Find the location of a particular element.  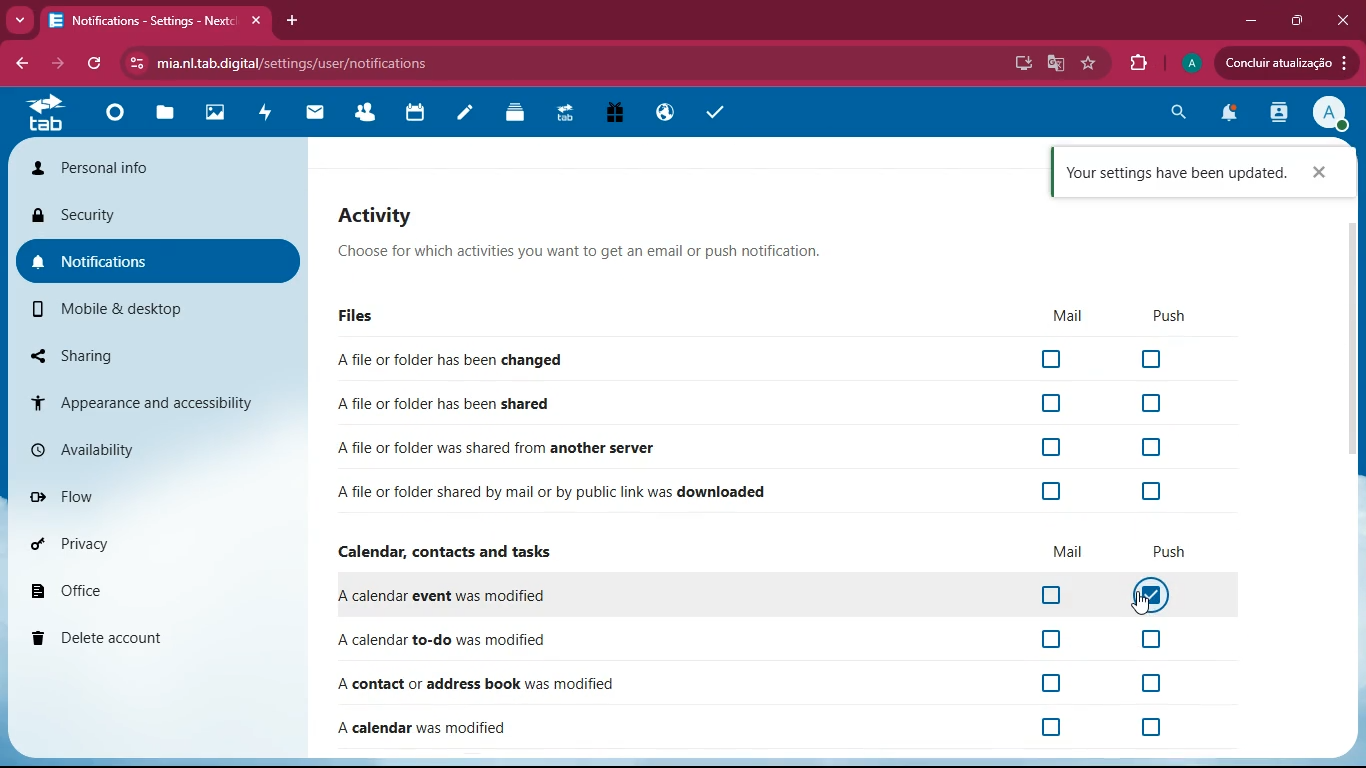

checkbox is located at coordinates (1152, 359).